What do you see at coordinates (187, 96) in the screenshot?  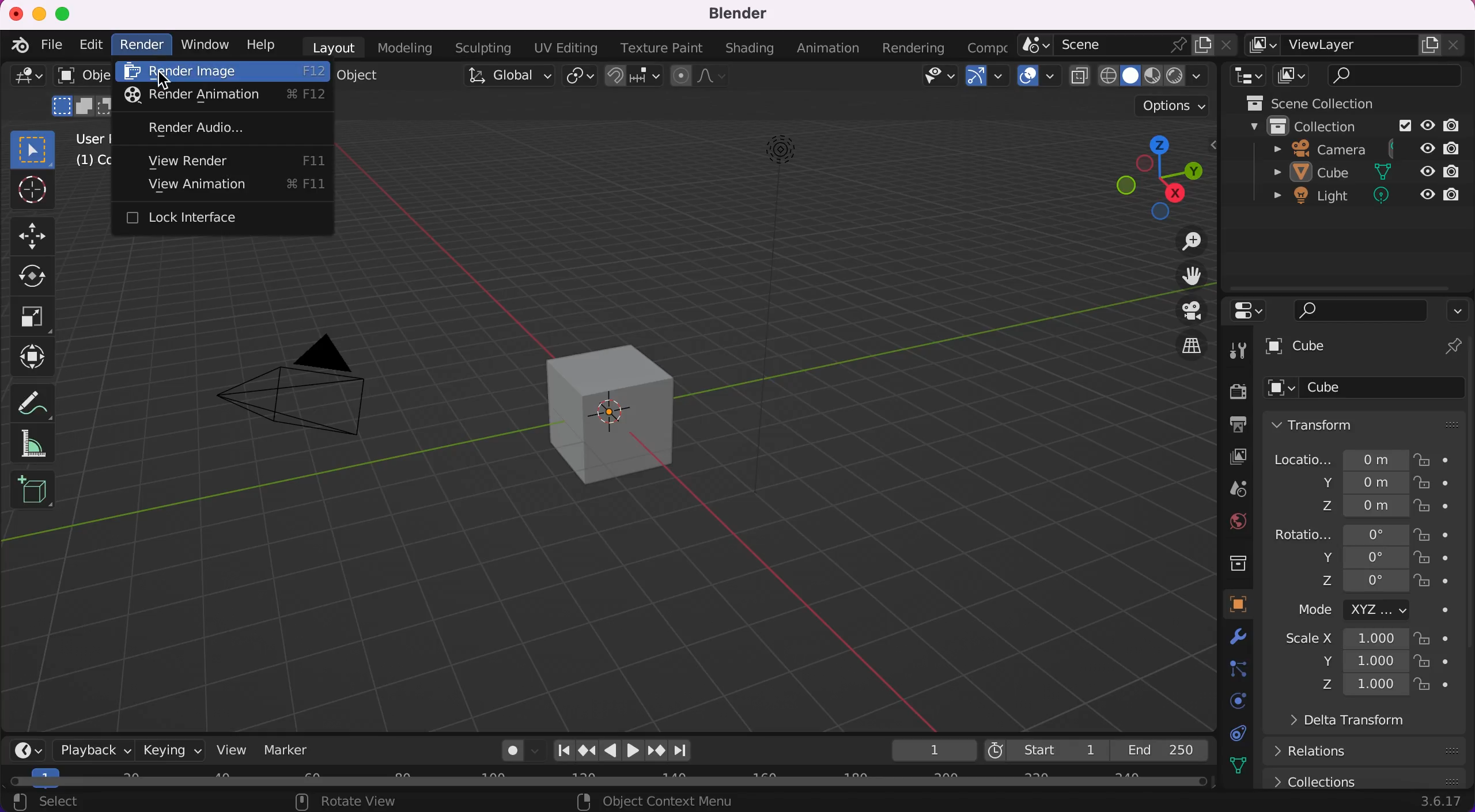 I see `render animation` at bounding box center [187, 96].